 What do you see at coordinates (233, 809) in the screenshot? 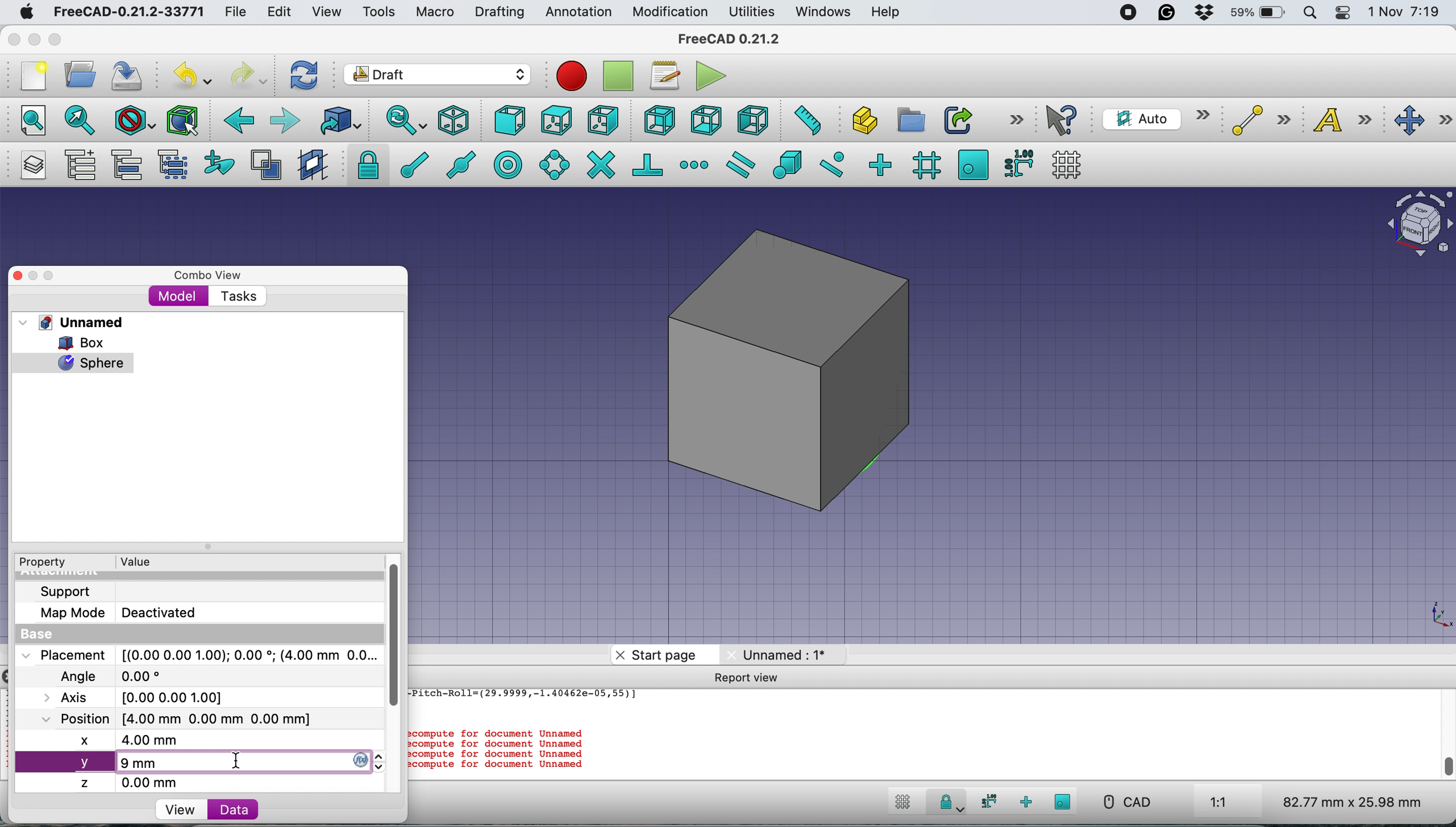
I see `data` at bounding box center [233, 809].